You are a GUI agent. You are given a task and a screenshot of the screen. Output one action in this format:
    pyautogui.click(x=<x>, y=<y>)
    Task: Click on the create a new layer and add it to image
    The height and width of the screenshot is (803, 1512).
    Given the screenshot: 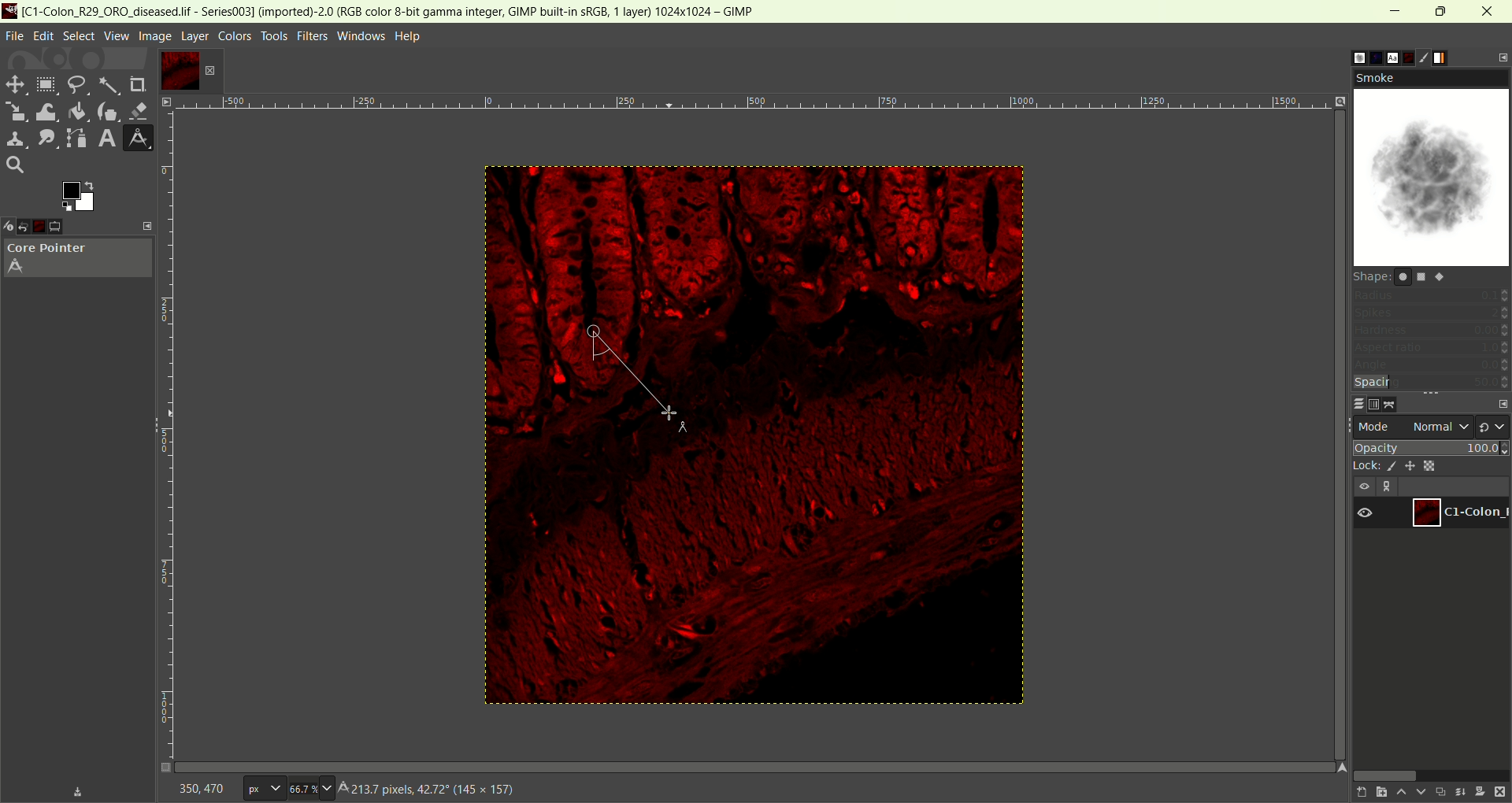 What is the action you would take?
    pyautogui.click(x=1377, y=793)
    